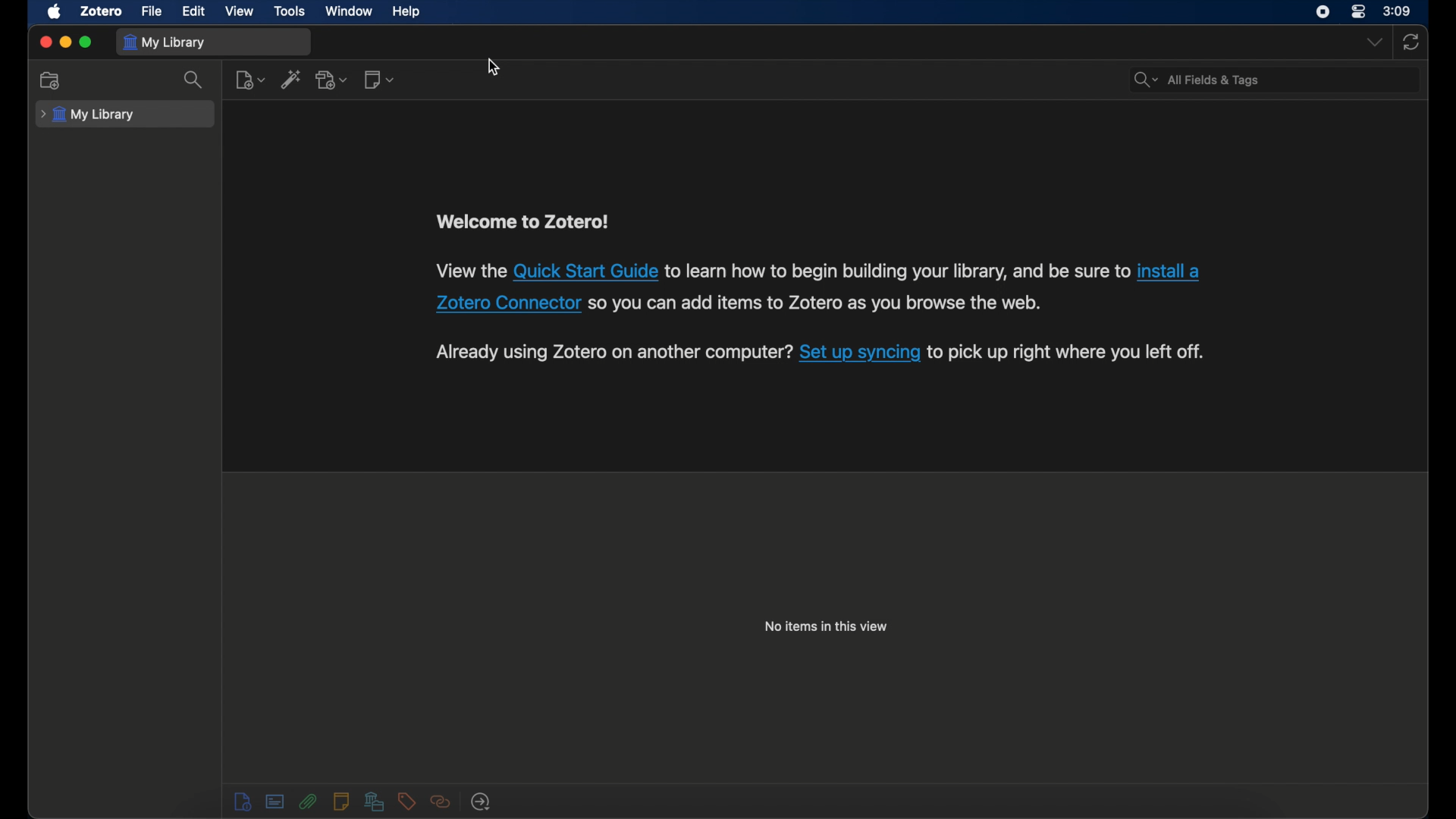 This screenshot has width=1456, height=819. I want to click on no items in this view, so click(825, 625).